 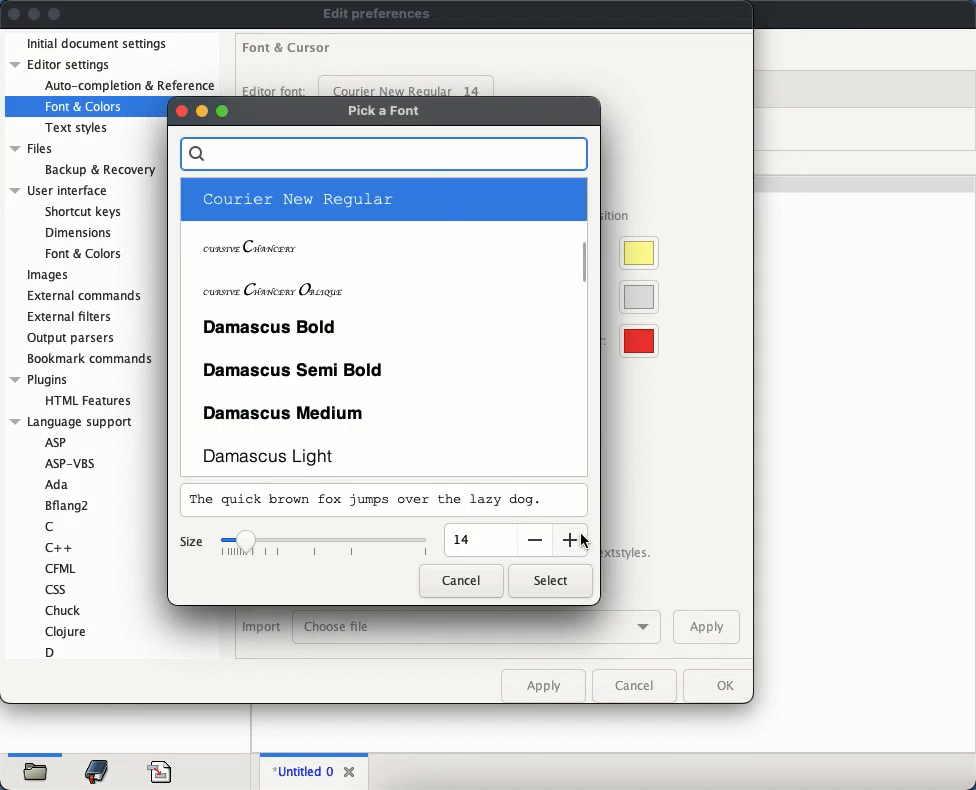 I want to click on choose file , so click(x=477, y=628).